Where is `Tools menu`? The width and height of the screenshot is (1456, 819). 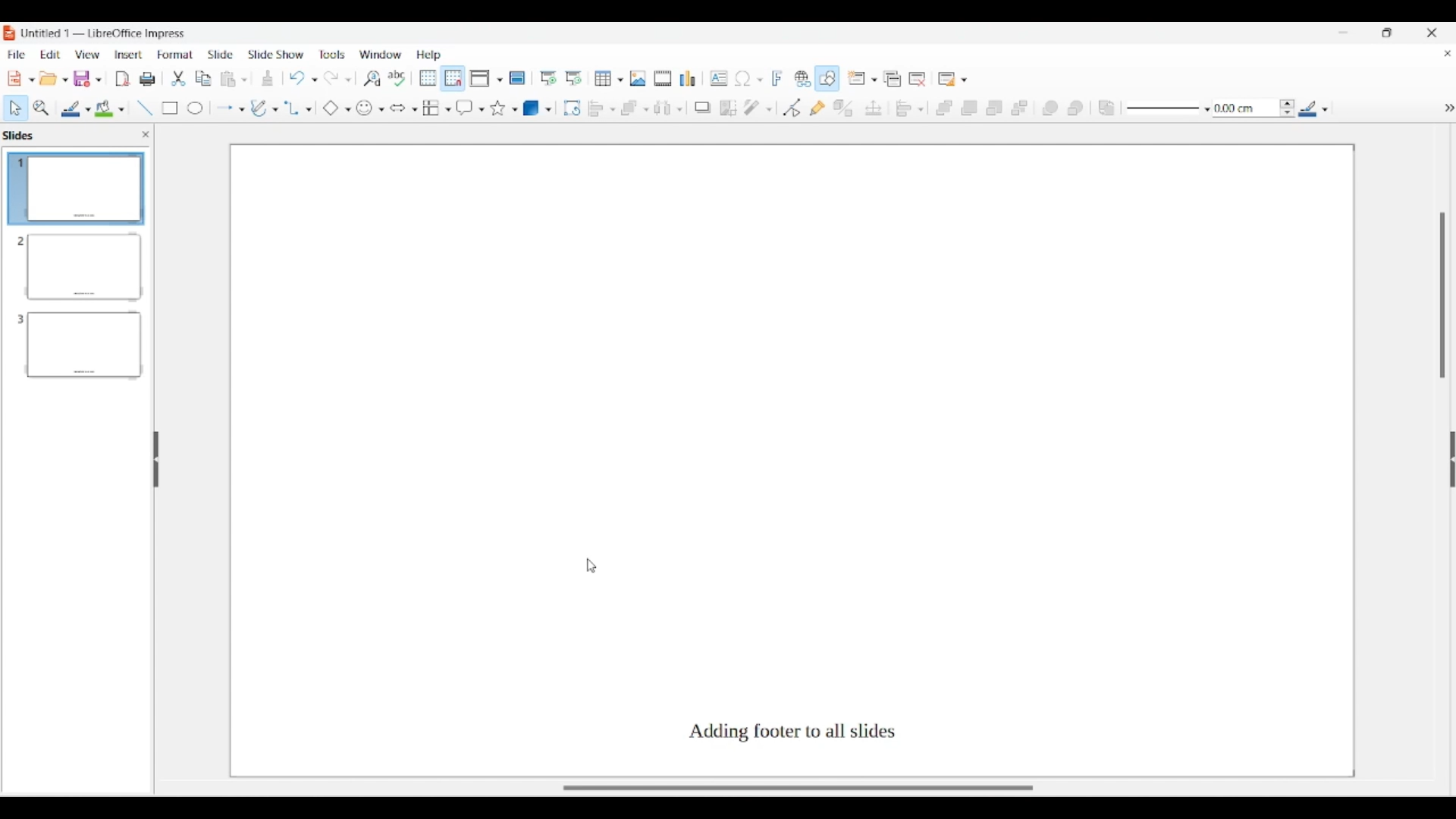 Tools menu is located at coordinates (332, 55).